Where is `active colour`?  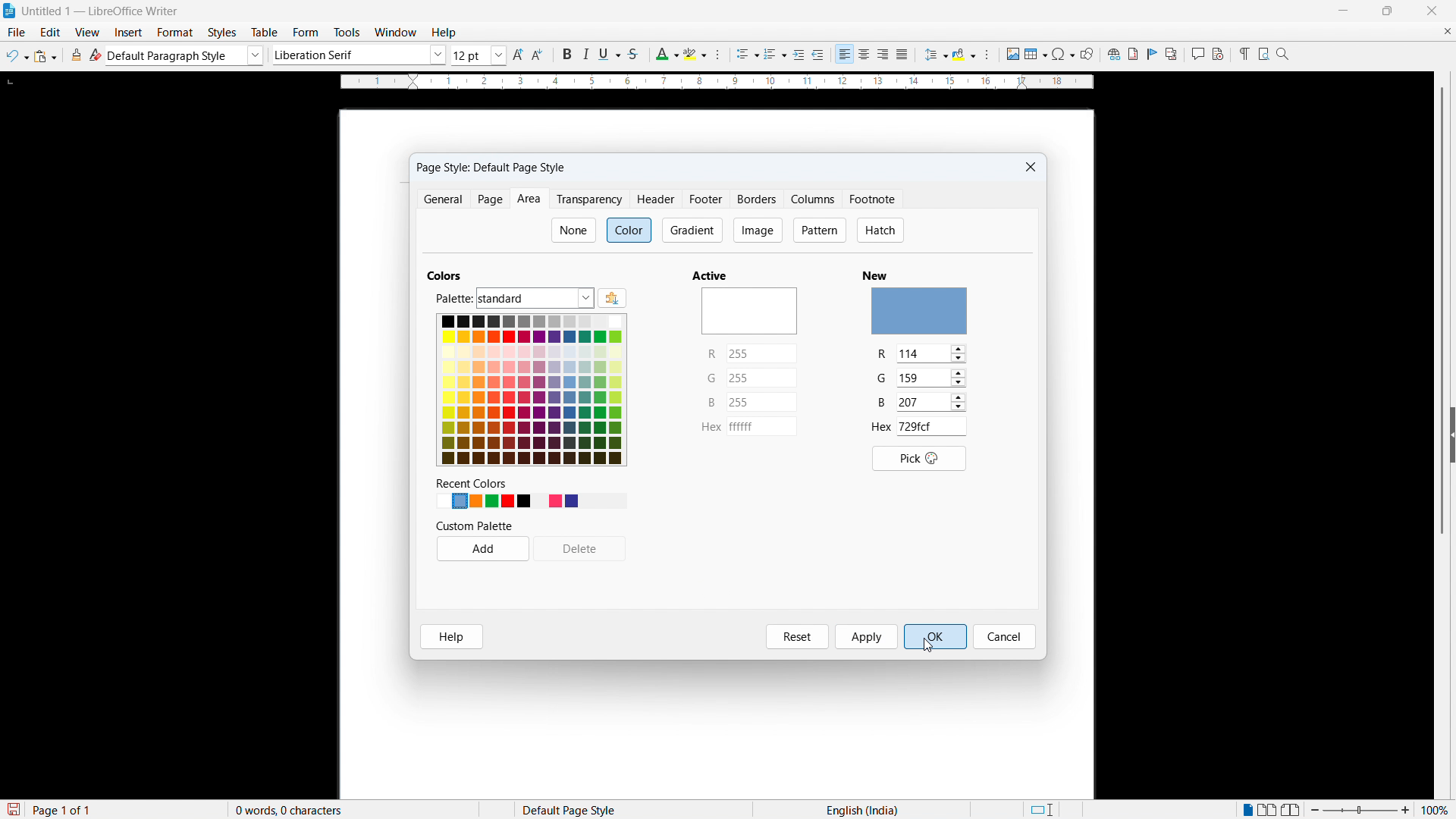 active colour is located at coordinates (749, 311).